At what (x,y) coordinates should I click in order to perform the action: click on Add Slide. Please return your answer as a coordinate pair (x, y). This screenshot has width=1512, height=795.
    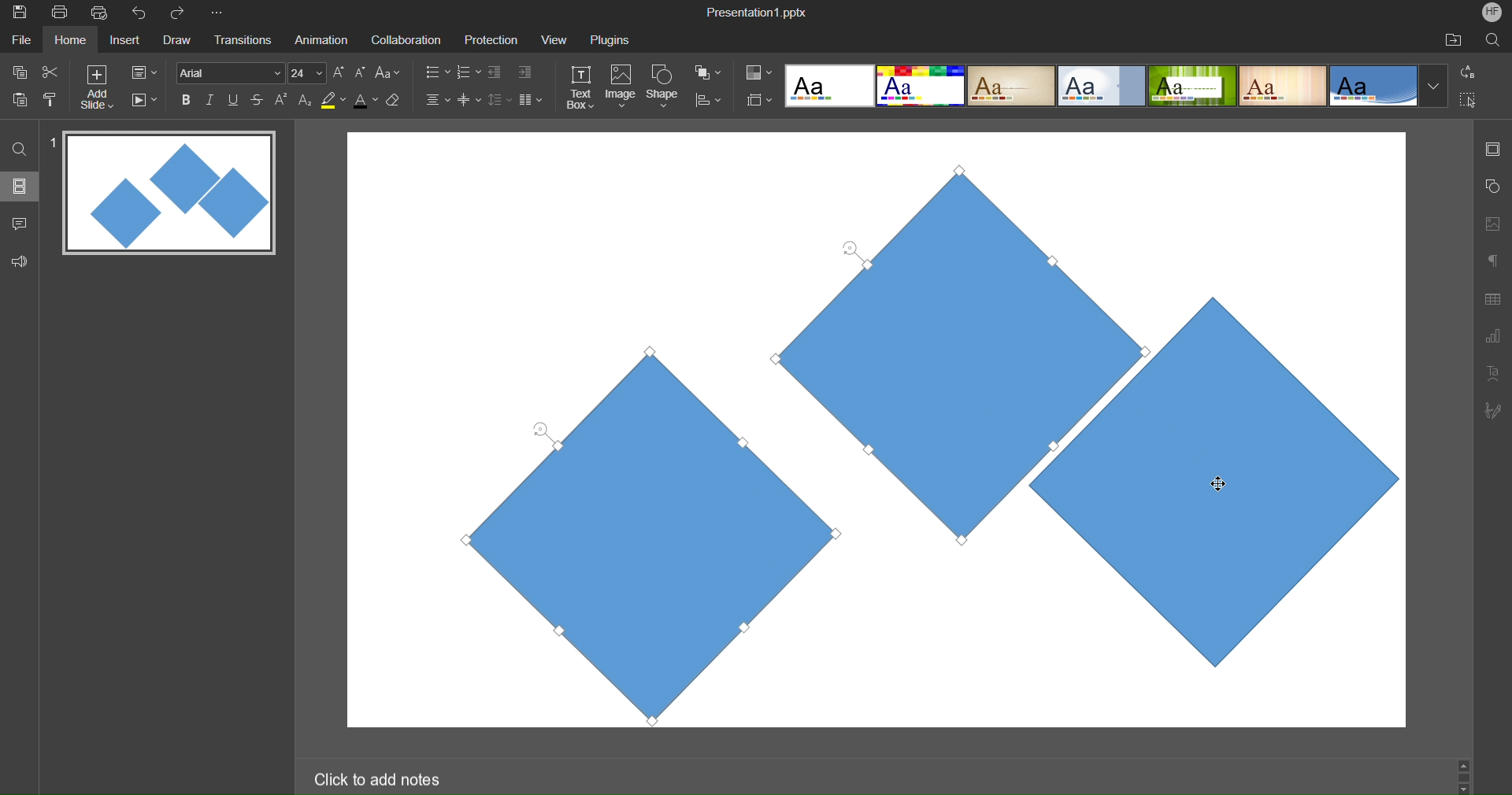
    Looking at the image, I should click on (97, 87).